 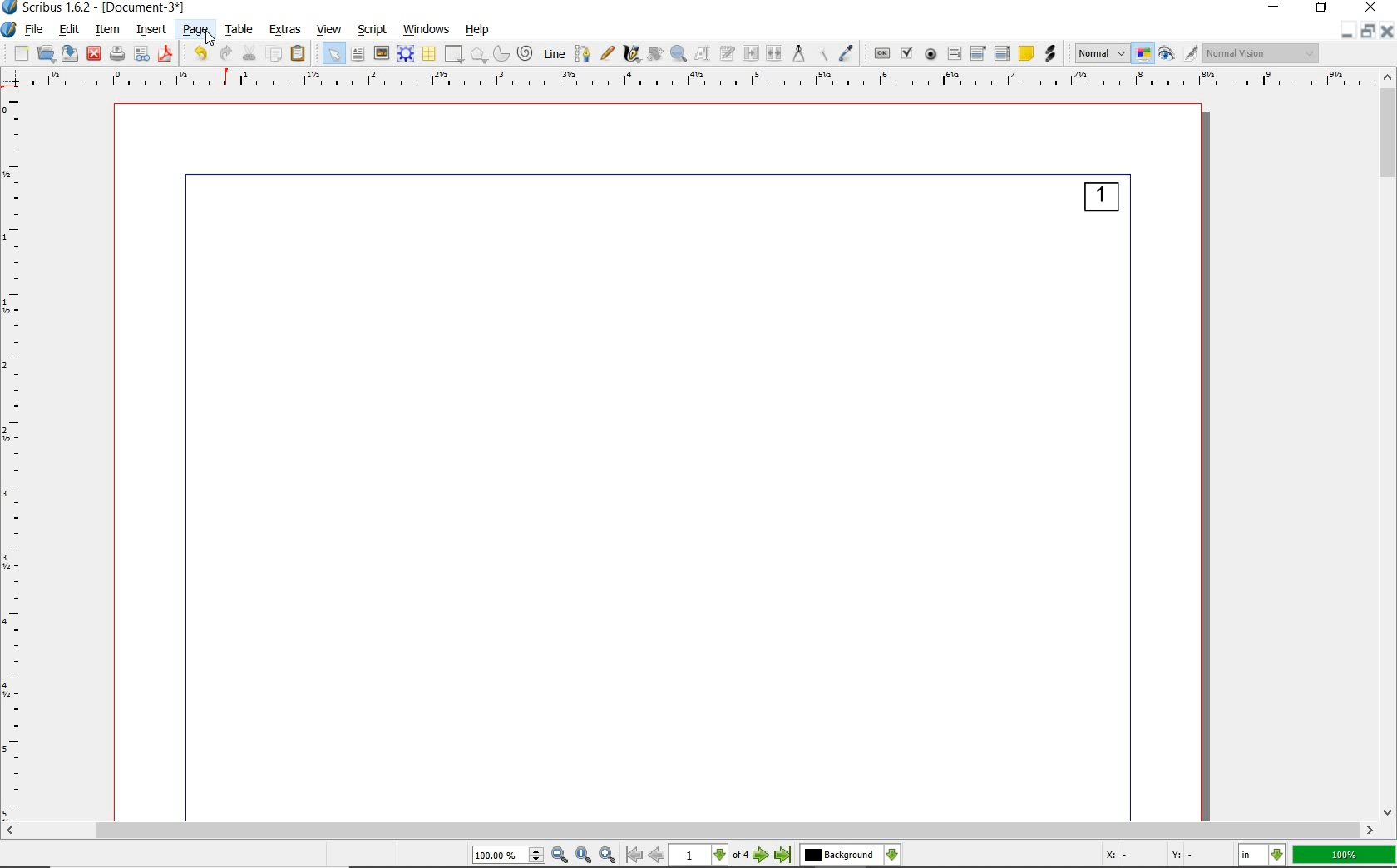 I want to click on extras, so click(x=287, y=30).